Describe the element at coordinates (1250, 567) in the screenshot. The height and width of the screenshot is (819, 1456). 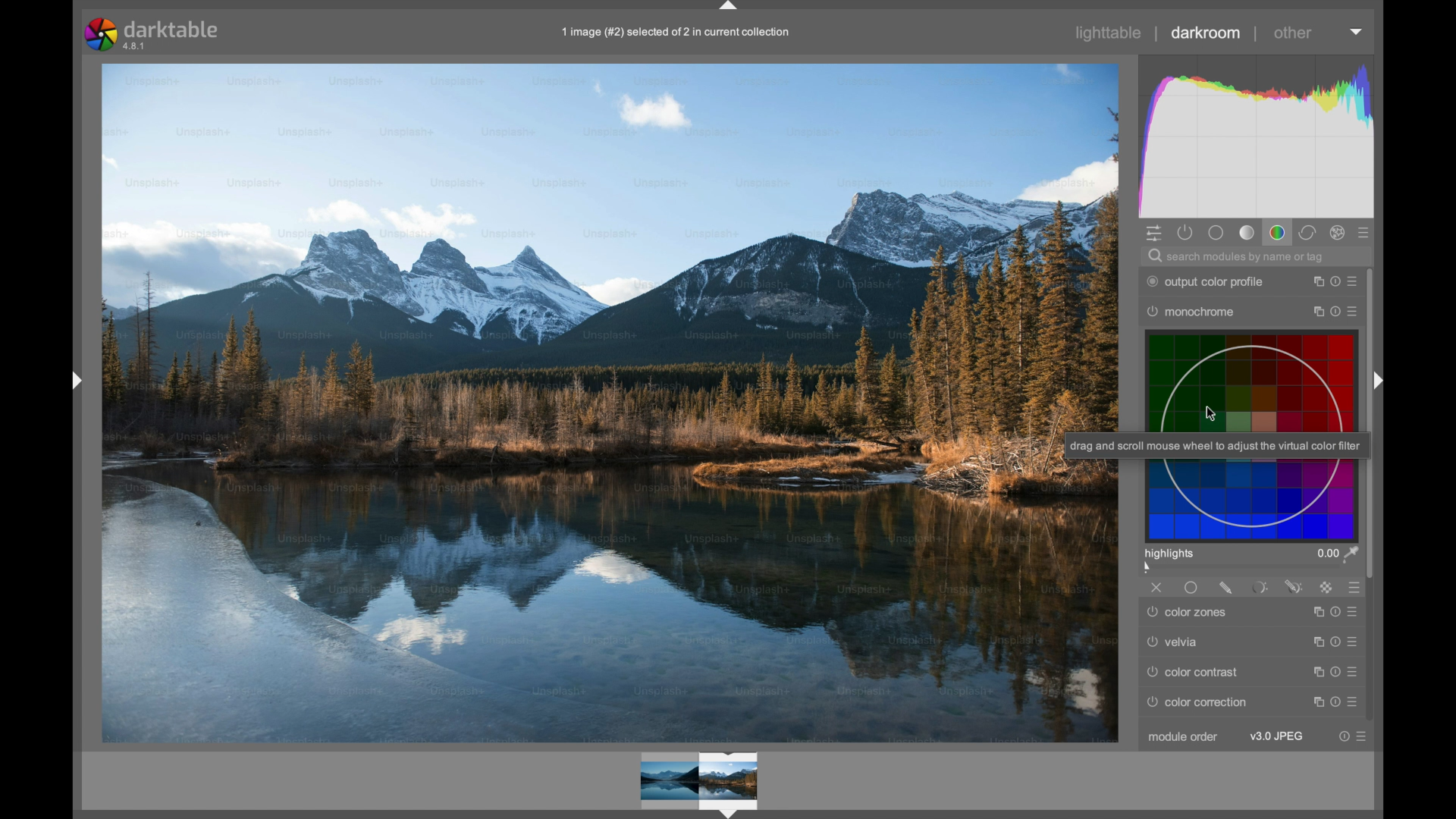
I see `slider` at that location.